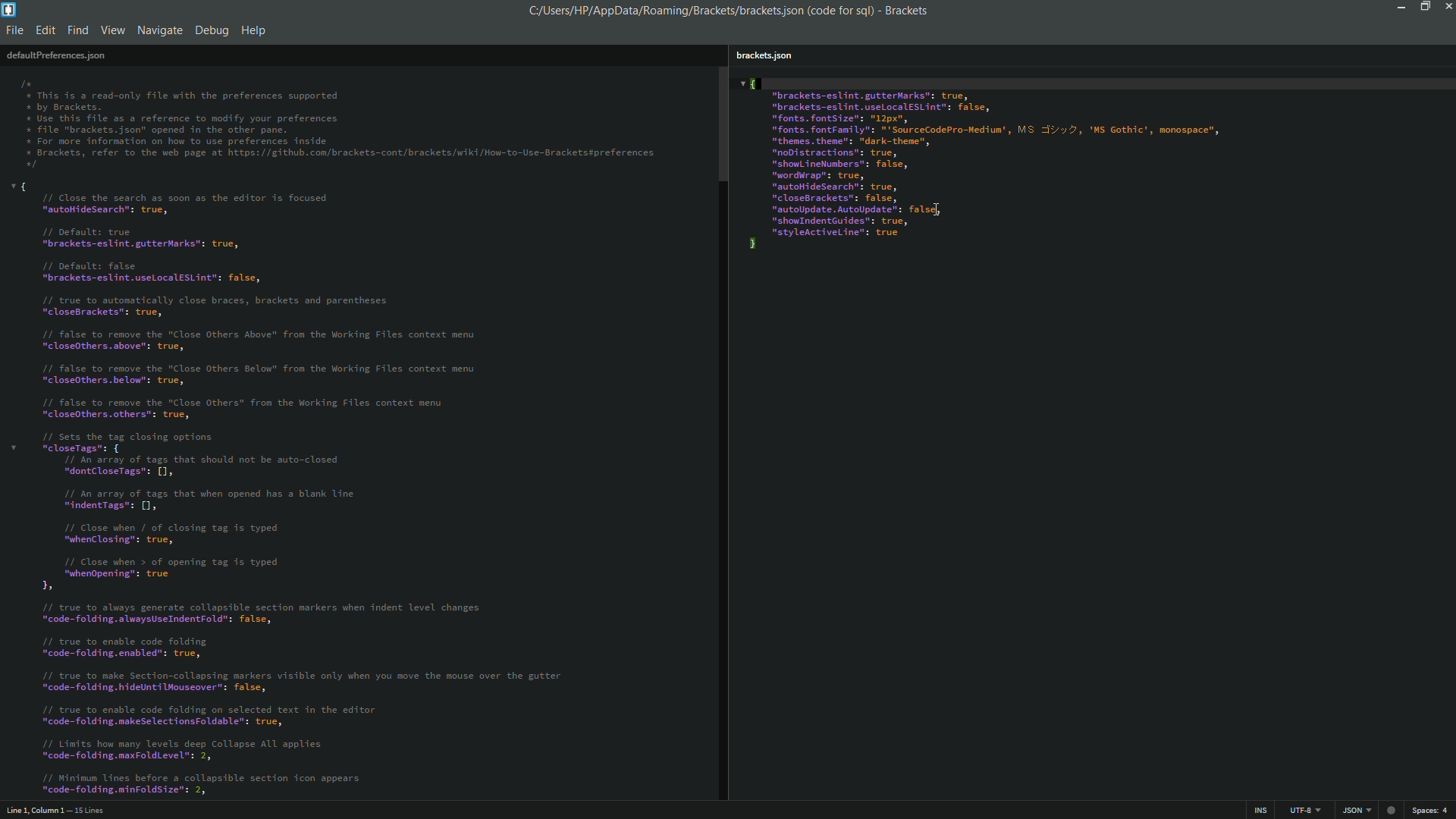  Describe the element at coordinates (1423, 7) in the screenshot. I see `maximize` at that location.